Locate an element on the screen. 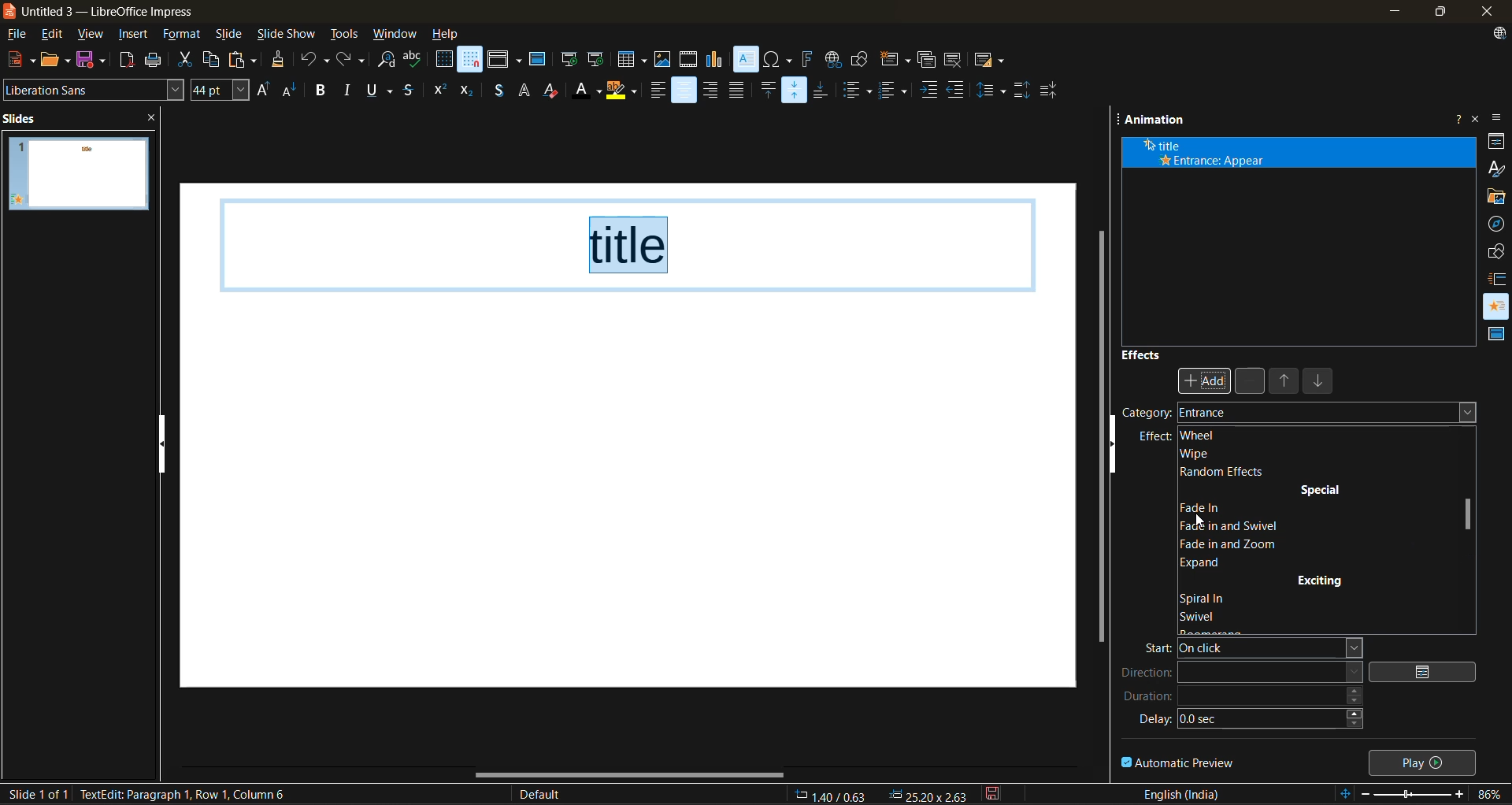 This screenshot has height=805, width=1512. animation is located at coordinates (1497, 302).